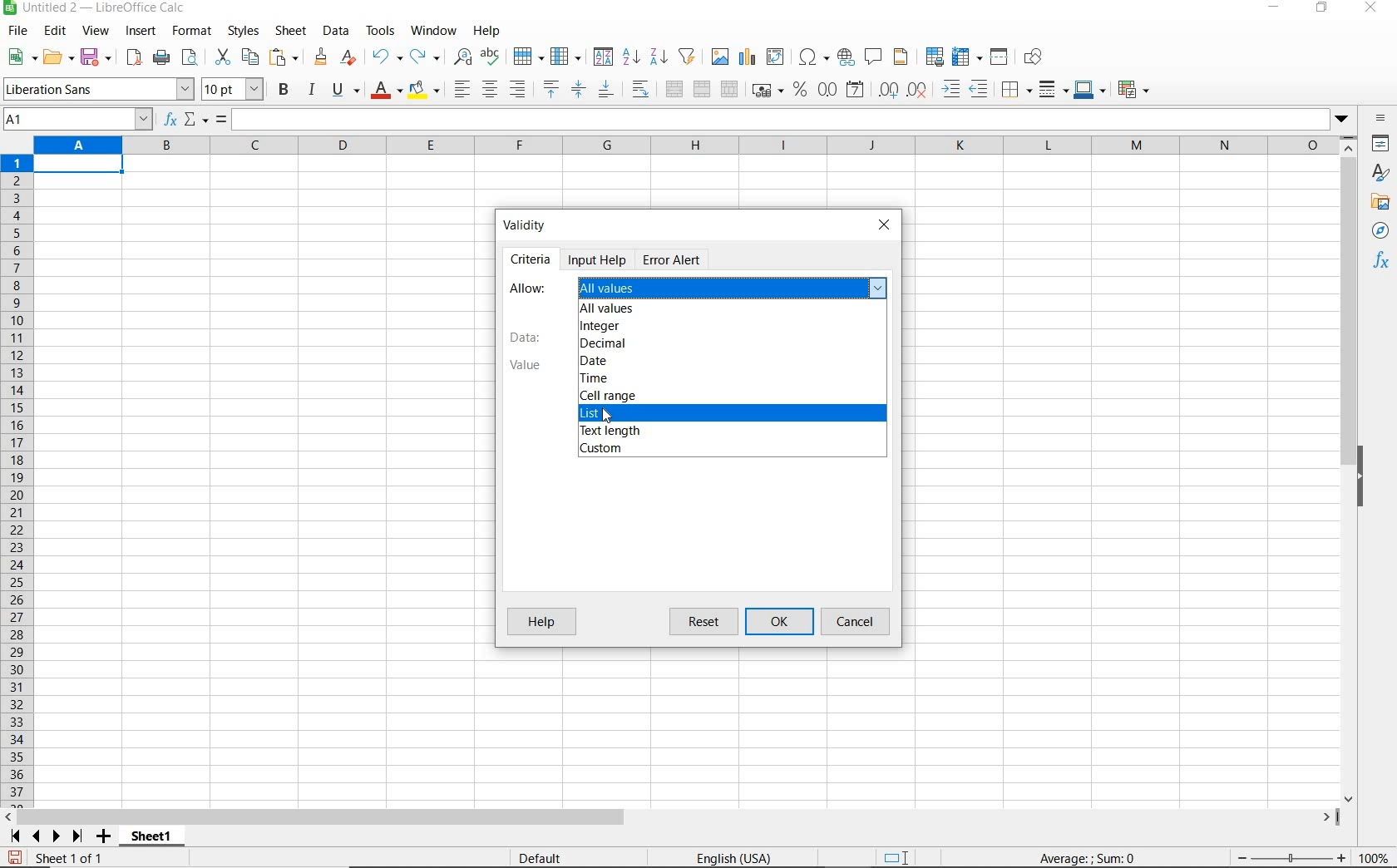  I want to click on insert, so click(140, 32).